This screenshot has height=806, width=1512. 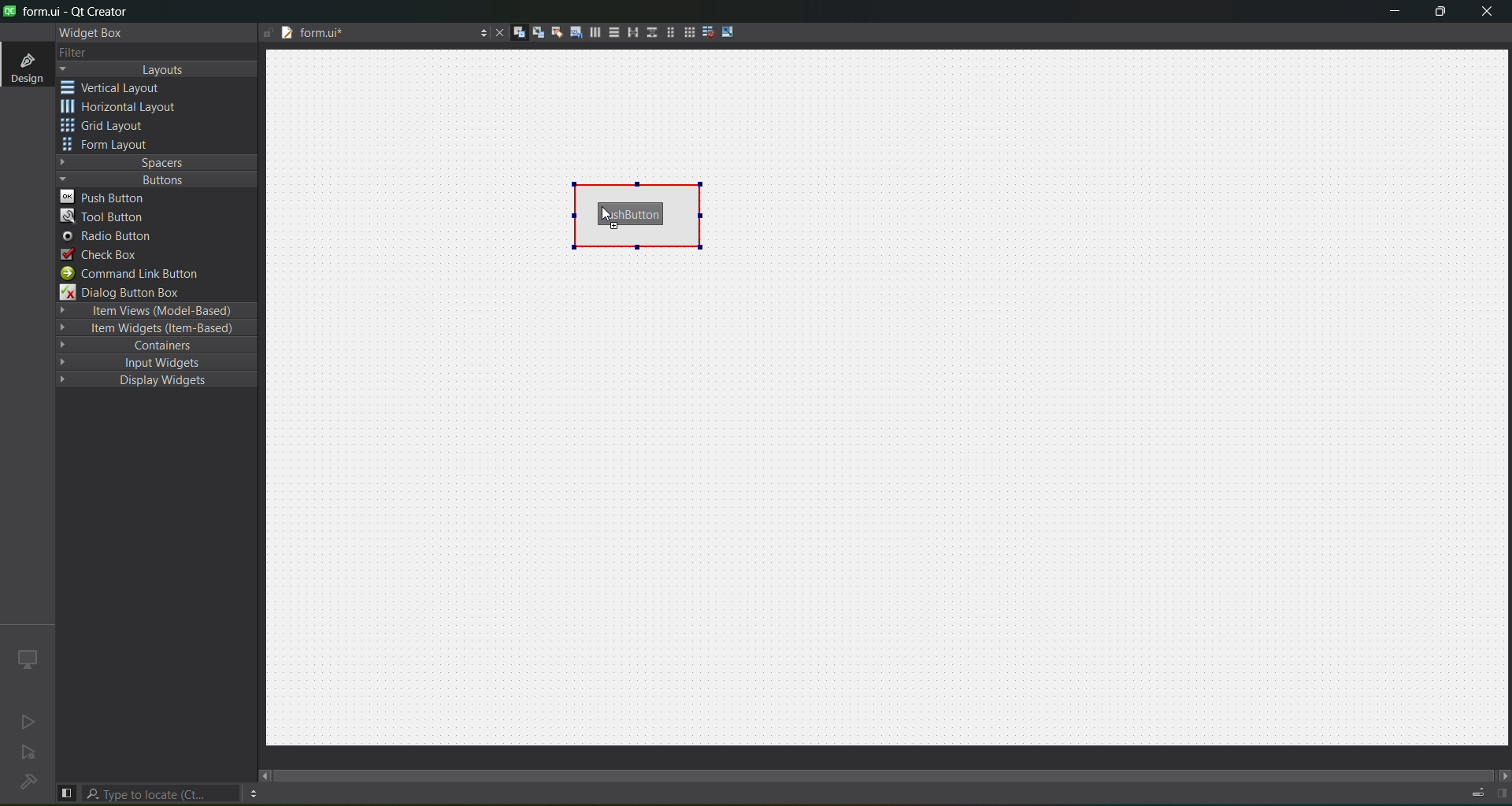 I want to click on spaces, so click(x=157, y=161).